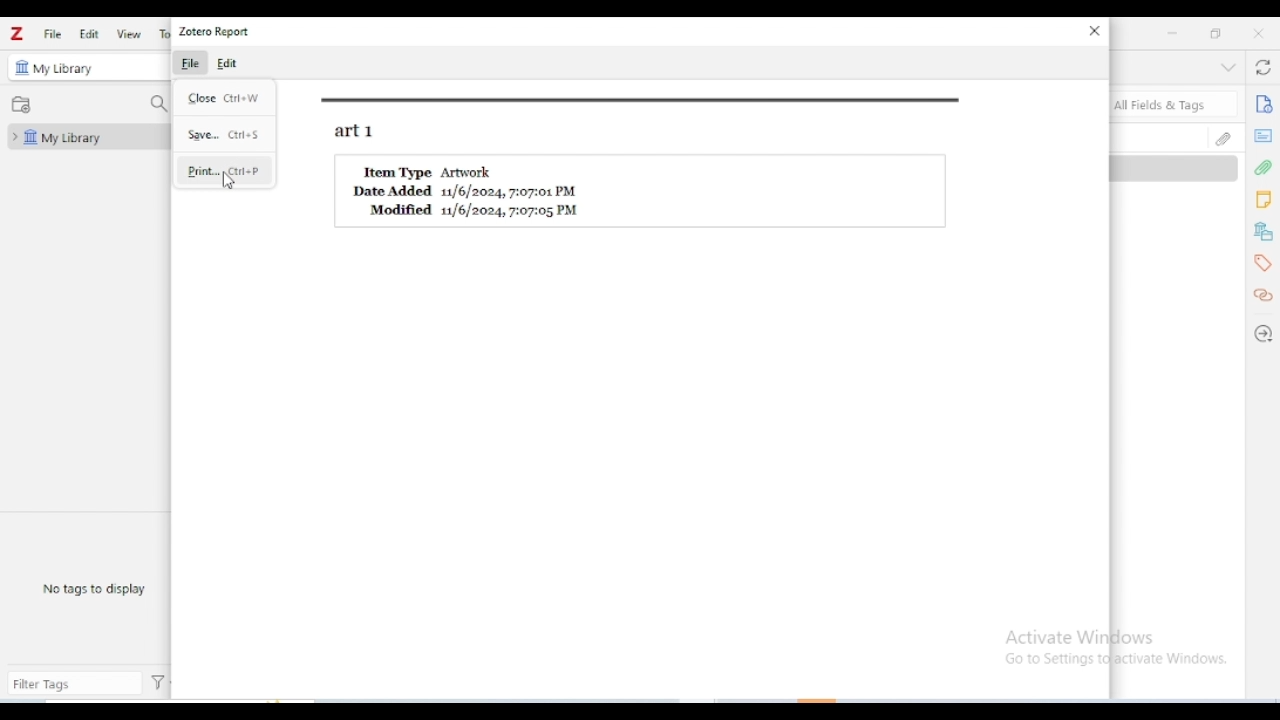  Describe the element at coordinates (1214, 32) in the screenshot. I see `maximize` at that location.